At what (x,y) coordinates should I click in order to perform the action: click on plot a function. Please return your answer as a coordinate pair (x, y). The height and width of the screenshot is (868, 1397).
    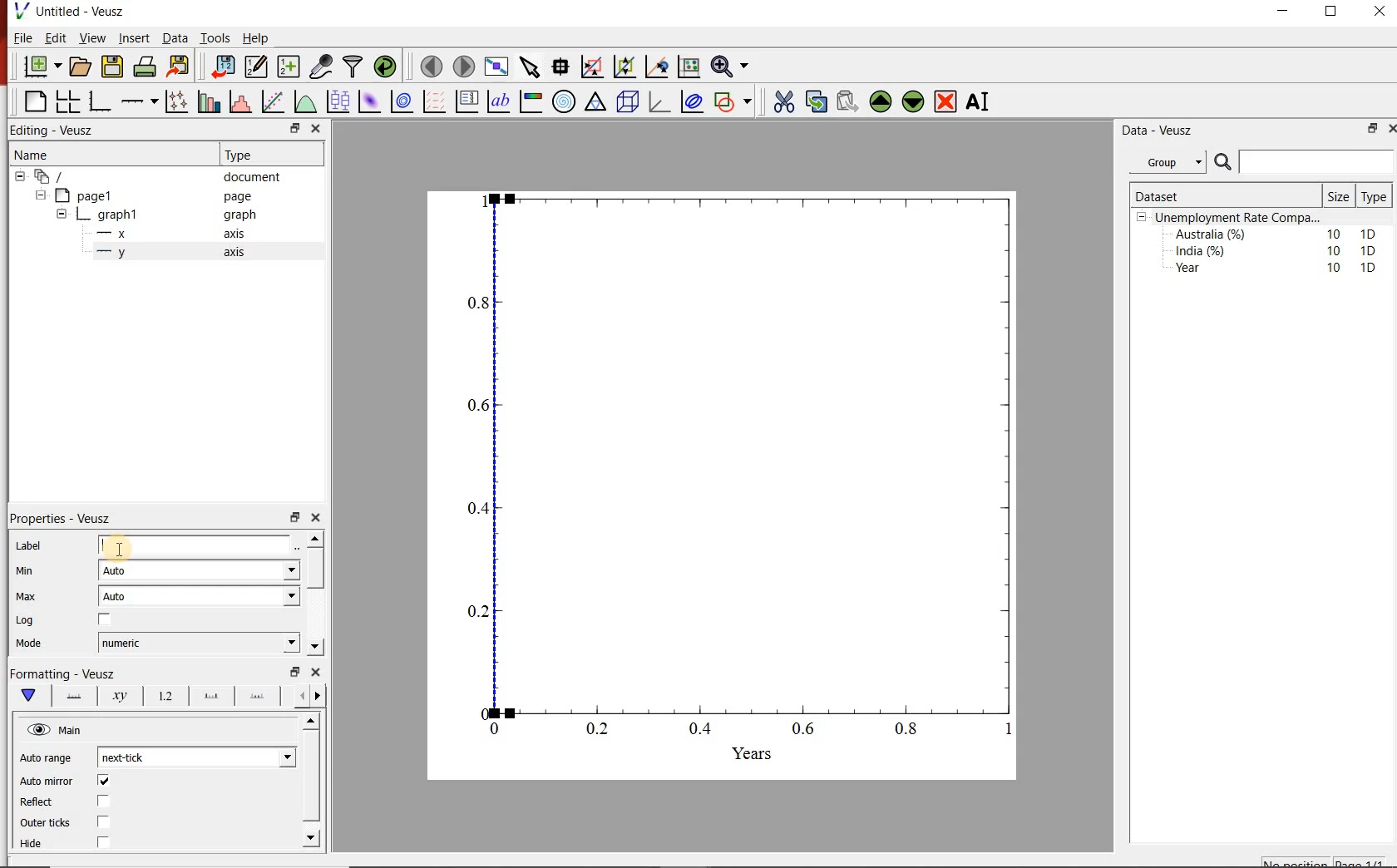
    Looking at the image, I should click on (305, 101).